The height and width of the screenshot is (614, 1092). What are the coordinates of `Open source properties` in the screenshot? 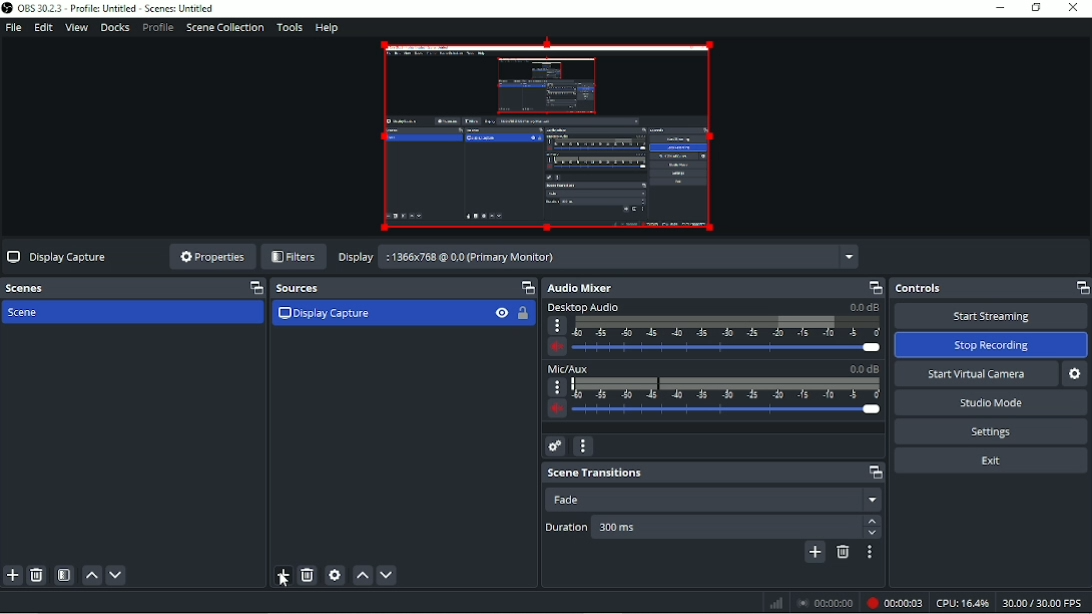 It's located at (334, 575).